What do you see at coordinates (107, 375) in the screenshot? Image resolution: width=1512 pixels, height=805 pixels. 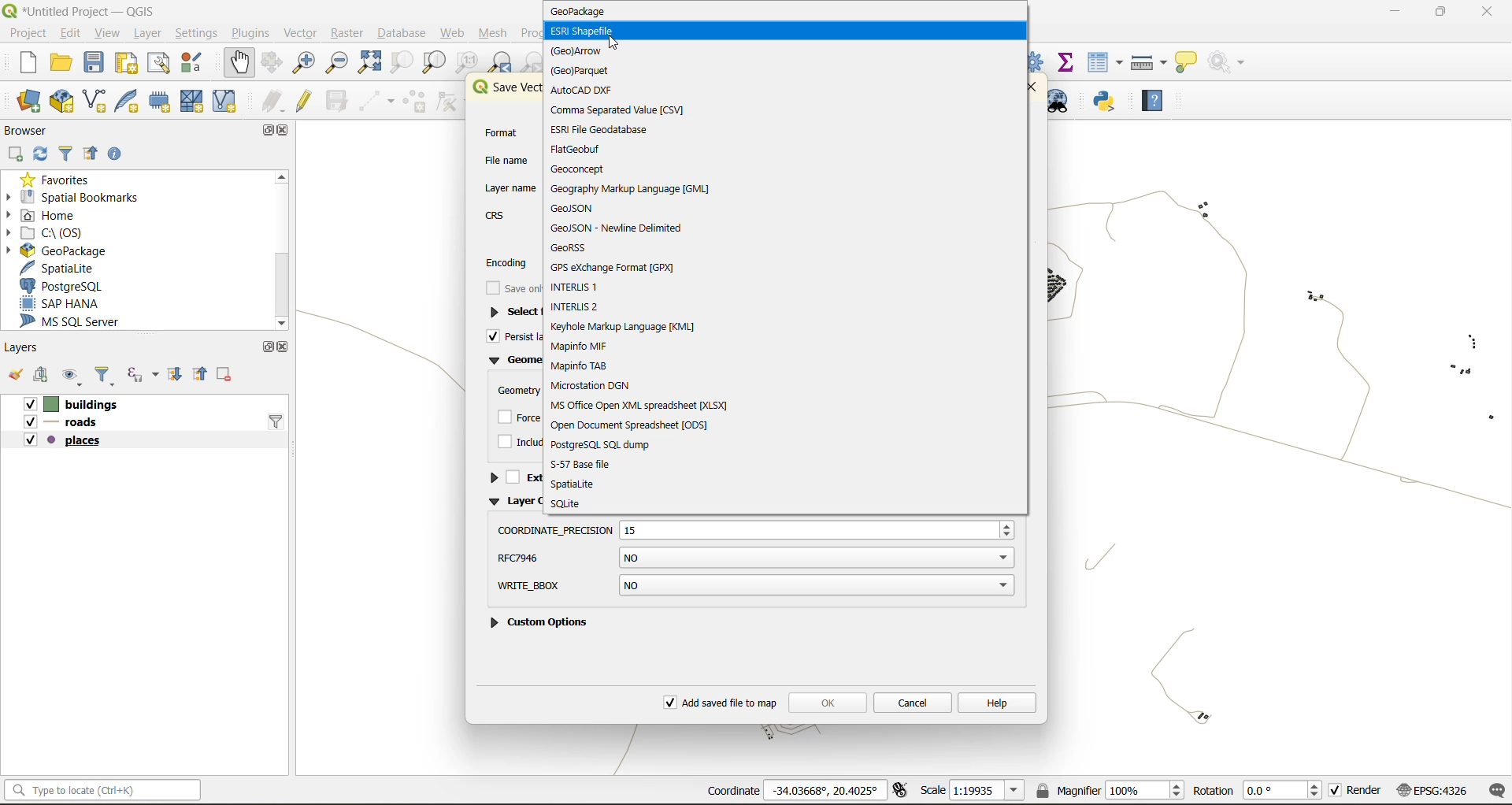 I see `filter` at bounding box center [107, 375].